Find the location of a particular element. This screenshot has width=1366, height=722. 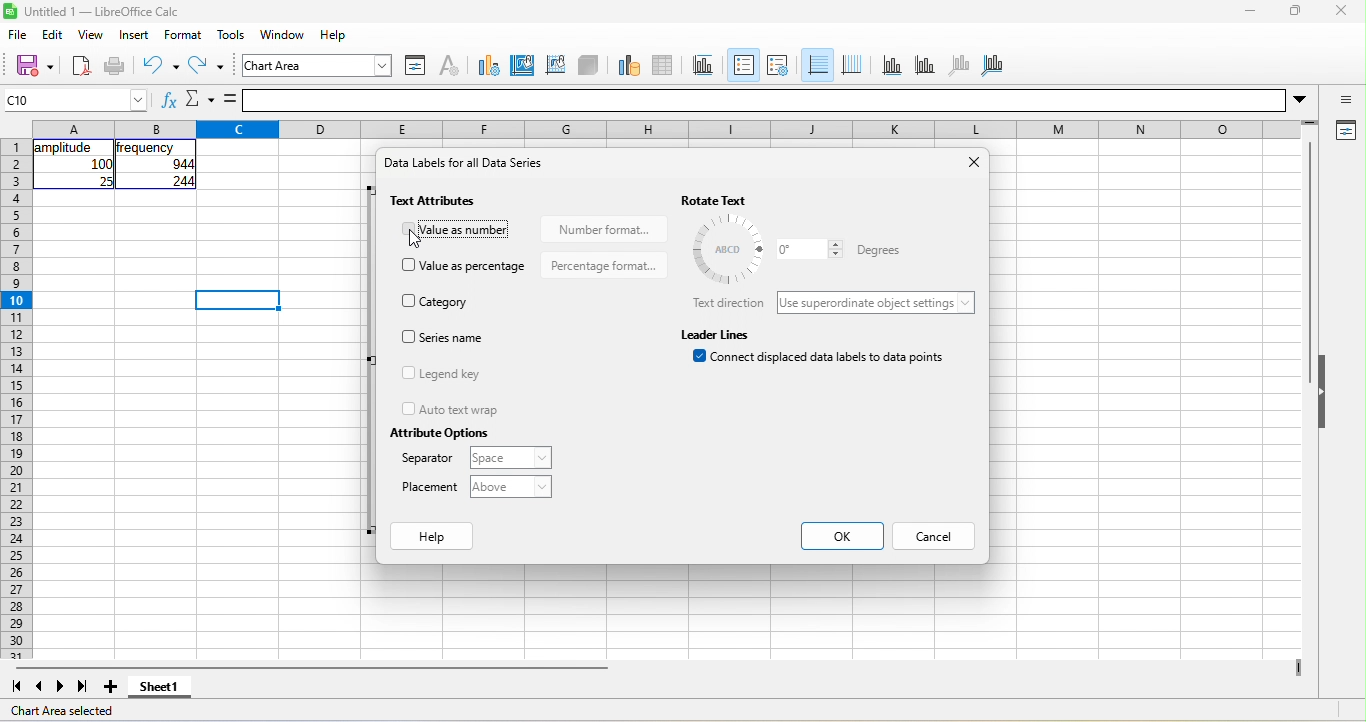

text attributes is located at coordinates (438, 201).